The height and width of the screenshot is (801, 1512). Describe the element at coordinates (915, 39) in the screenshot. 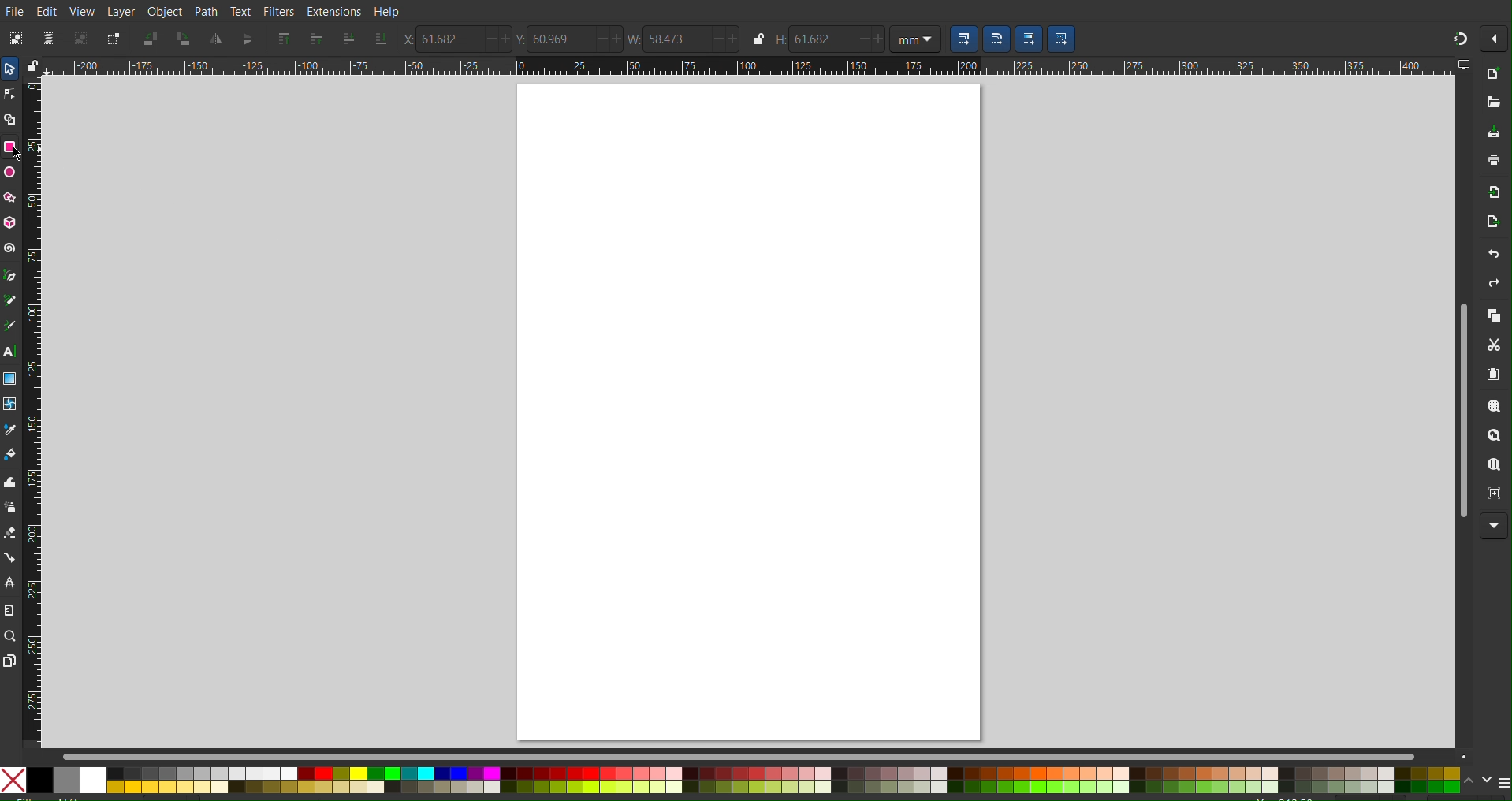

I see `Units` at that location.